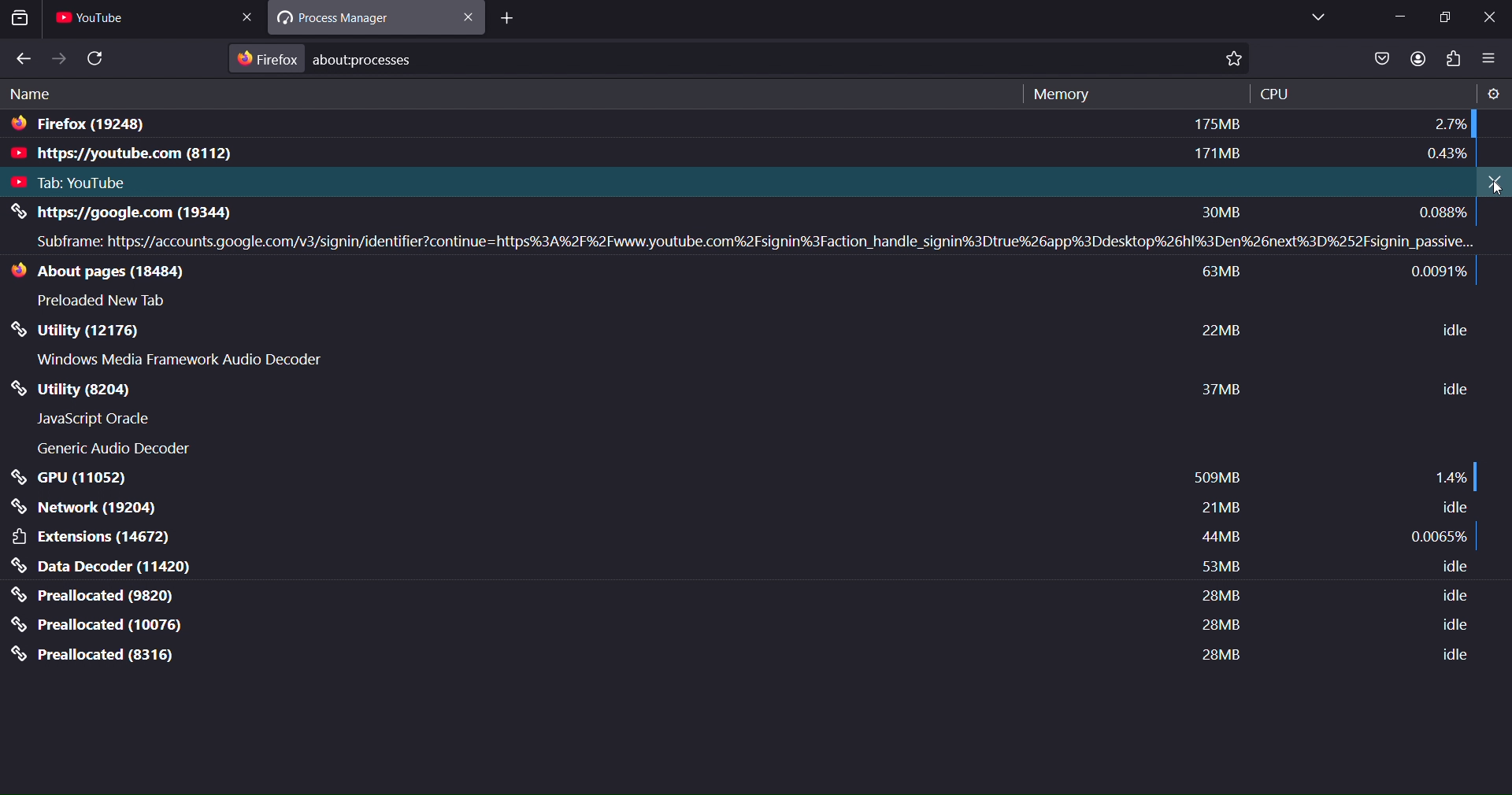  Describe the element at coordinates (83, 184) in the screenshot. I see `Tab: YOutbe` at that location.